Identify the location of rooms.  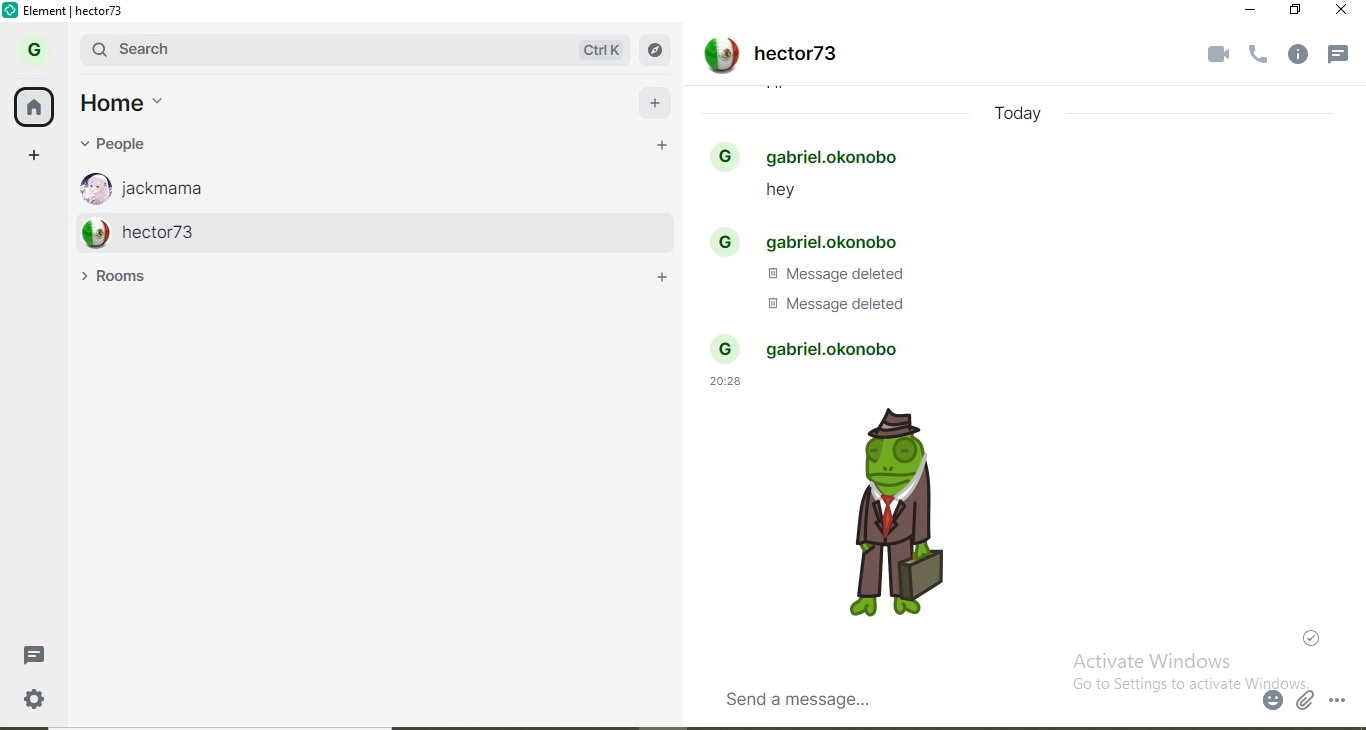
(124, 277).